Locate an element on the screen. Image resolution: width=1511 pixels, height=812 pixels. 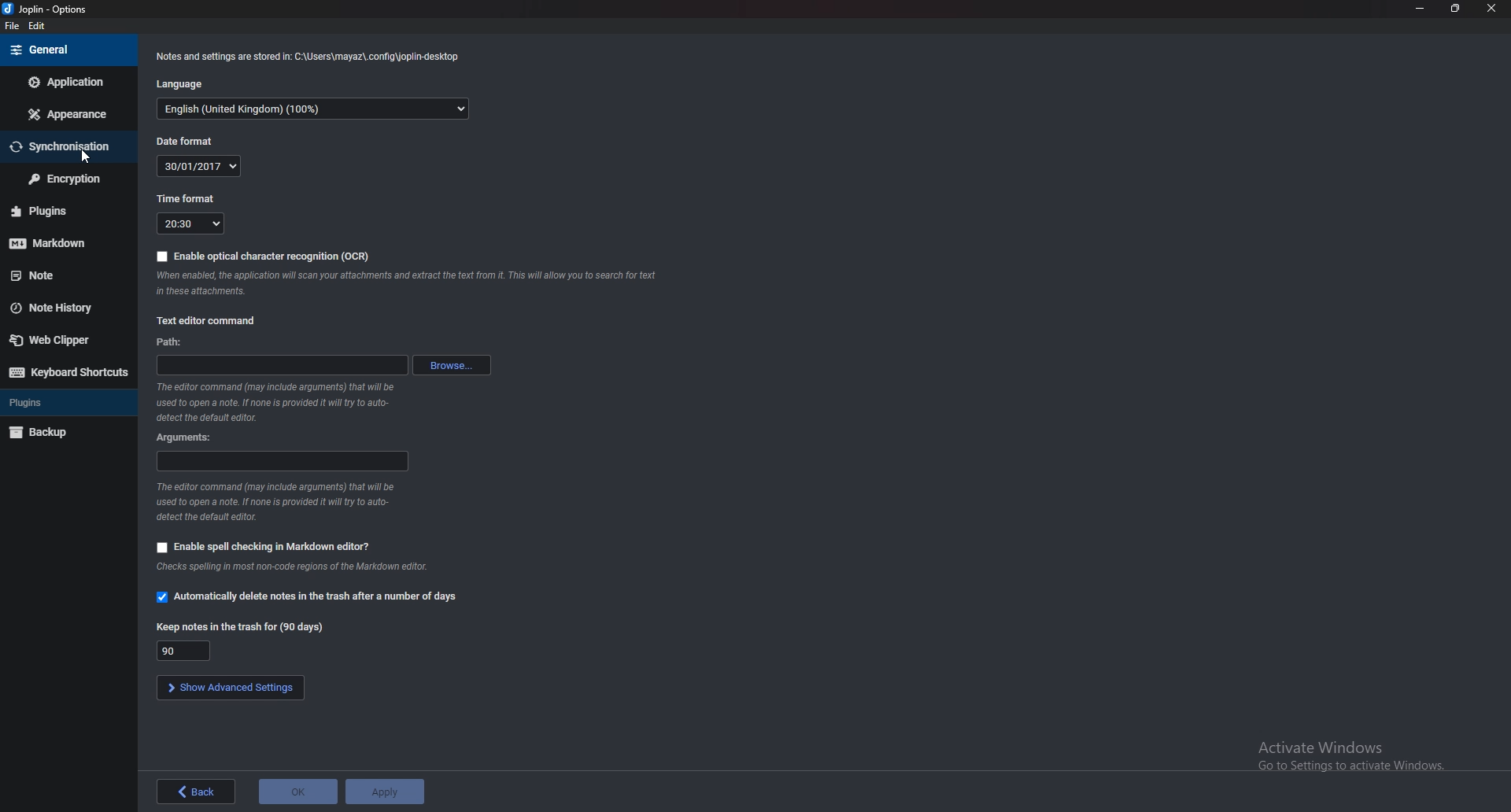
keep notes in trash for is located at coordinates (239, 626).